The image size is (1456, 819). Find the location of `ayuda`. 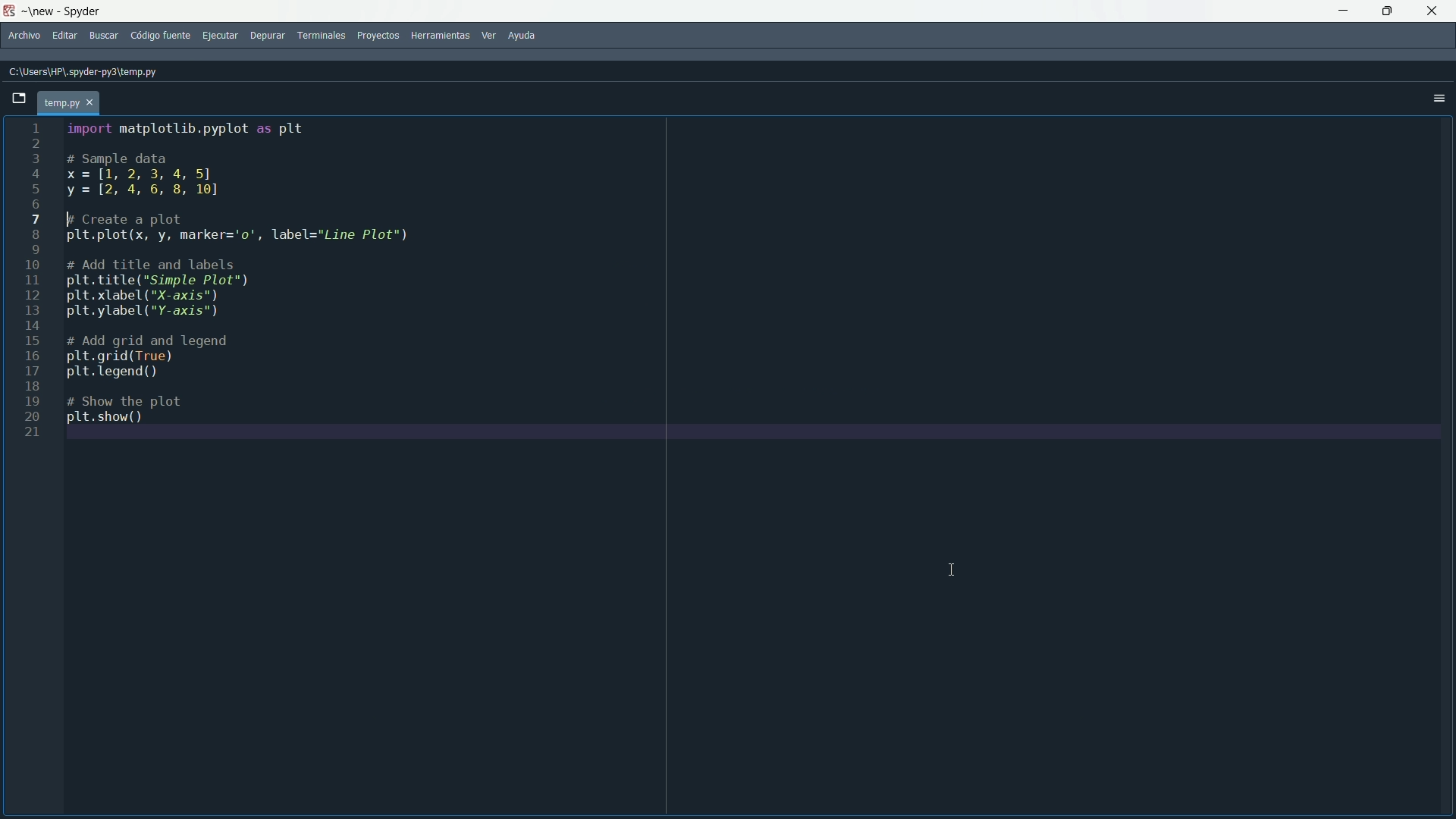

ayuda is located at coordinates (524, 36).